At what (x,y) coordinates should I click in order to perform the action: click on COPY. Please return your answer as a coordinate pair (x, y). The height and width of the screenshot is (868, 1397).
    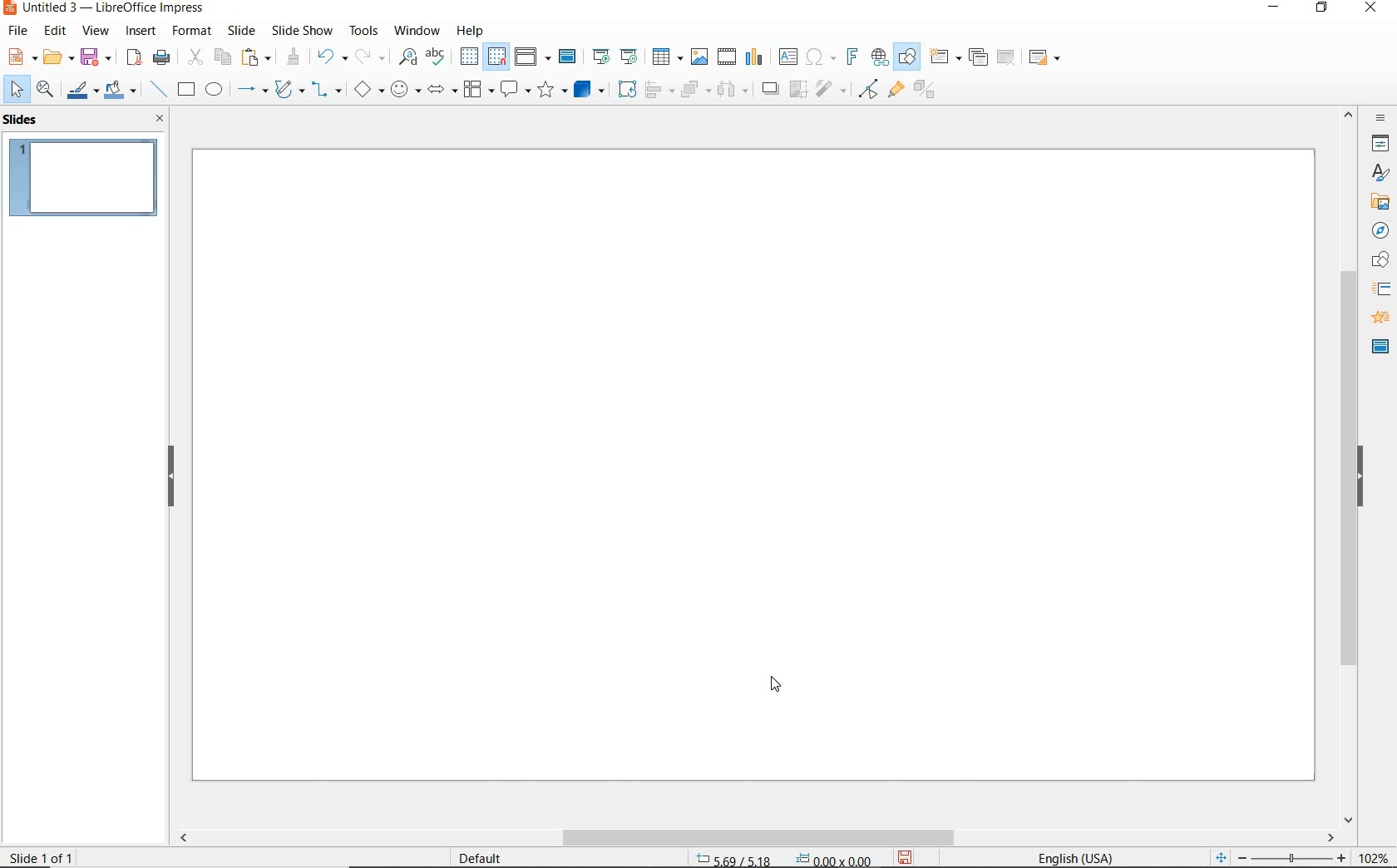
    Looking at the image, I should click on (222, 58).